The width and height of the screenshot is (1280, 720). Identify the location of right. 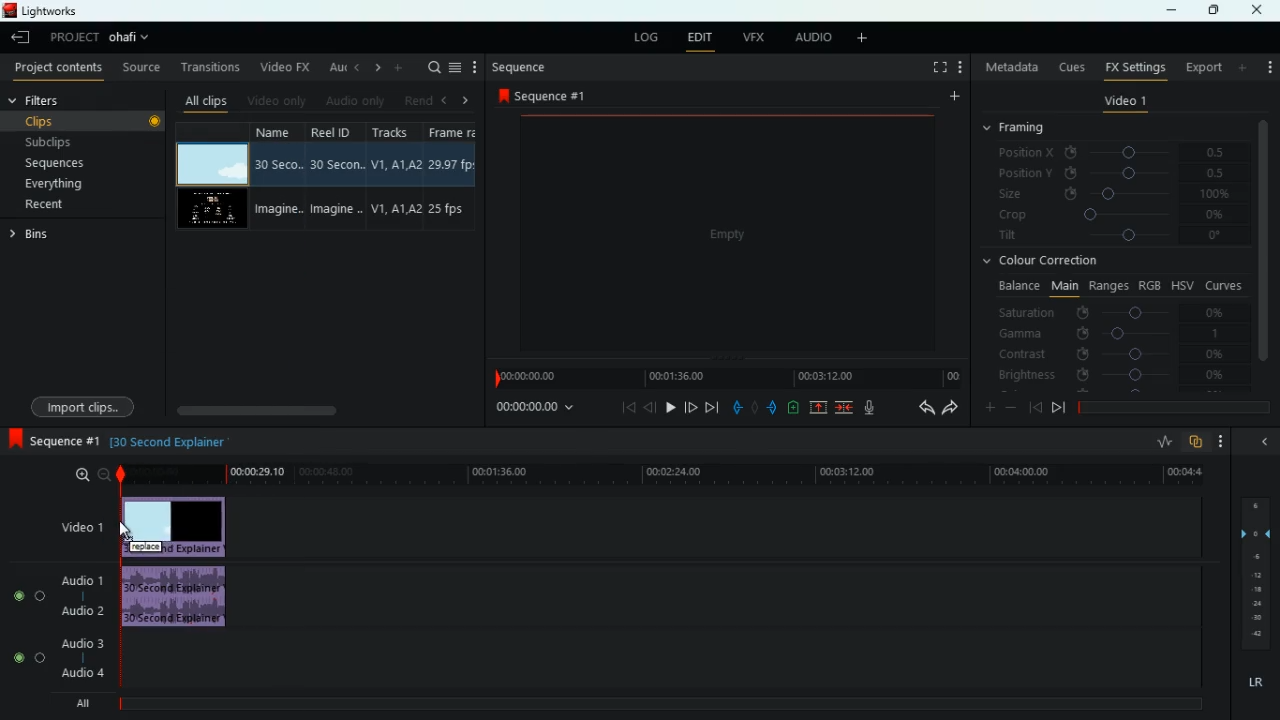
(465, 100).